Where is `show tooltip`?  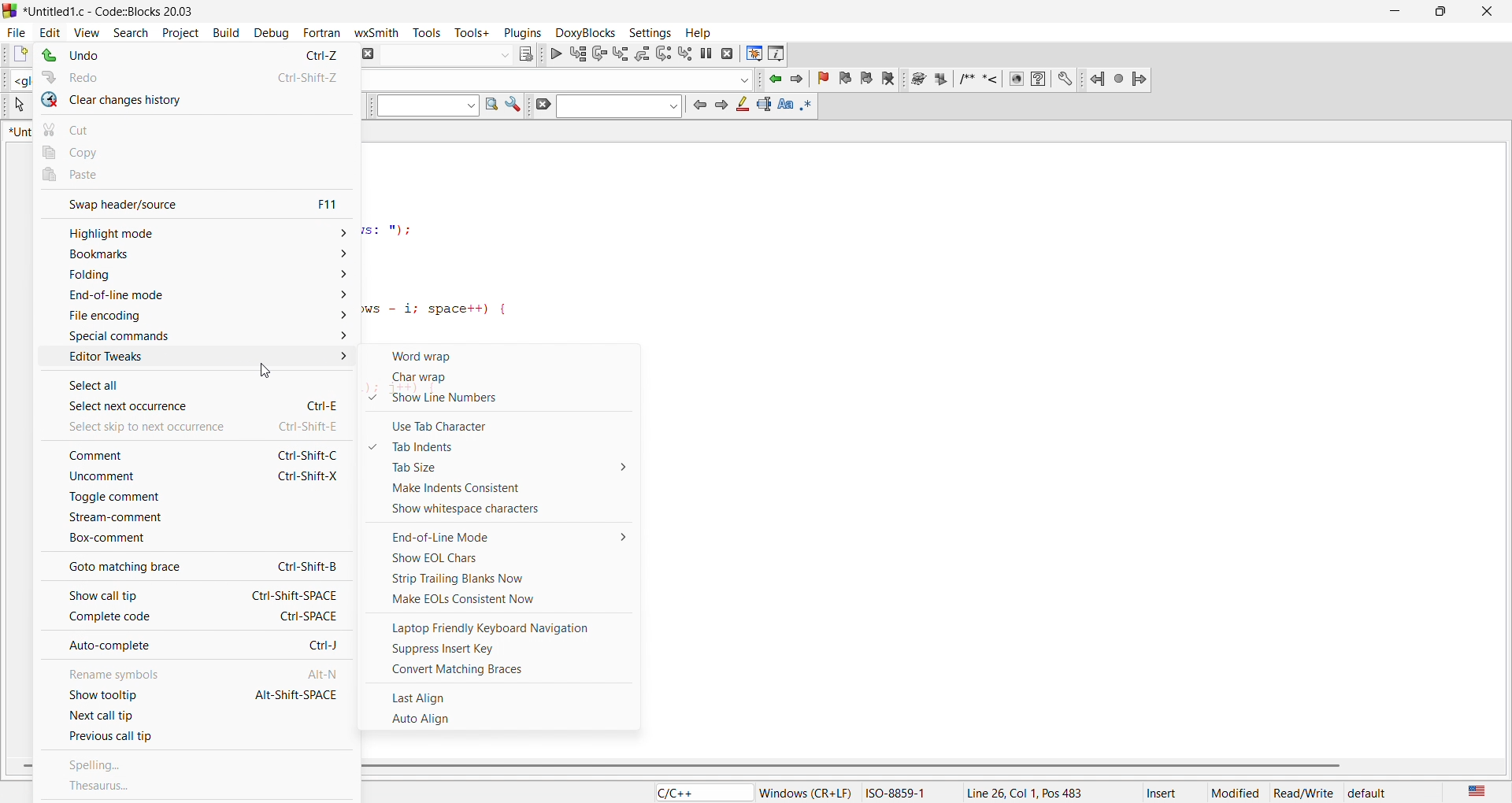
show tooltip is located at coordinates (124, 695).